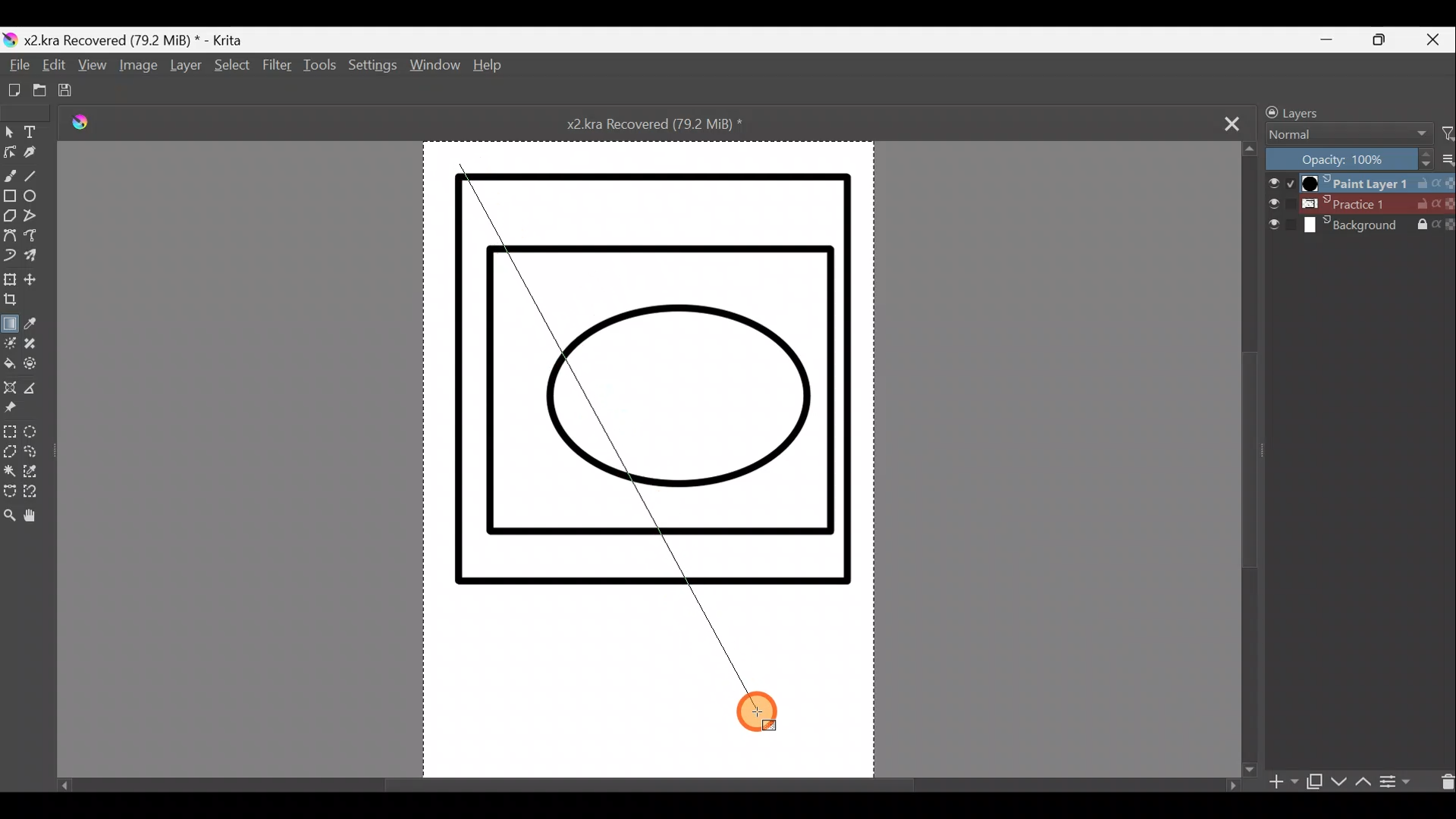 The image size is (1456, 819). What do you see at coordinates (1386, 40) in the screenshot?
I see `Maximise` at bounding box center [1386, 40].